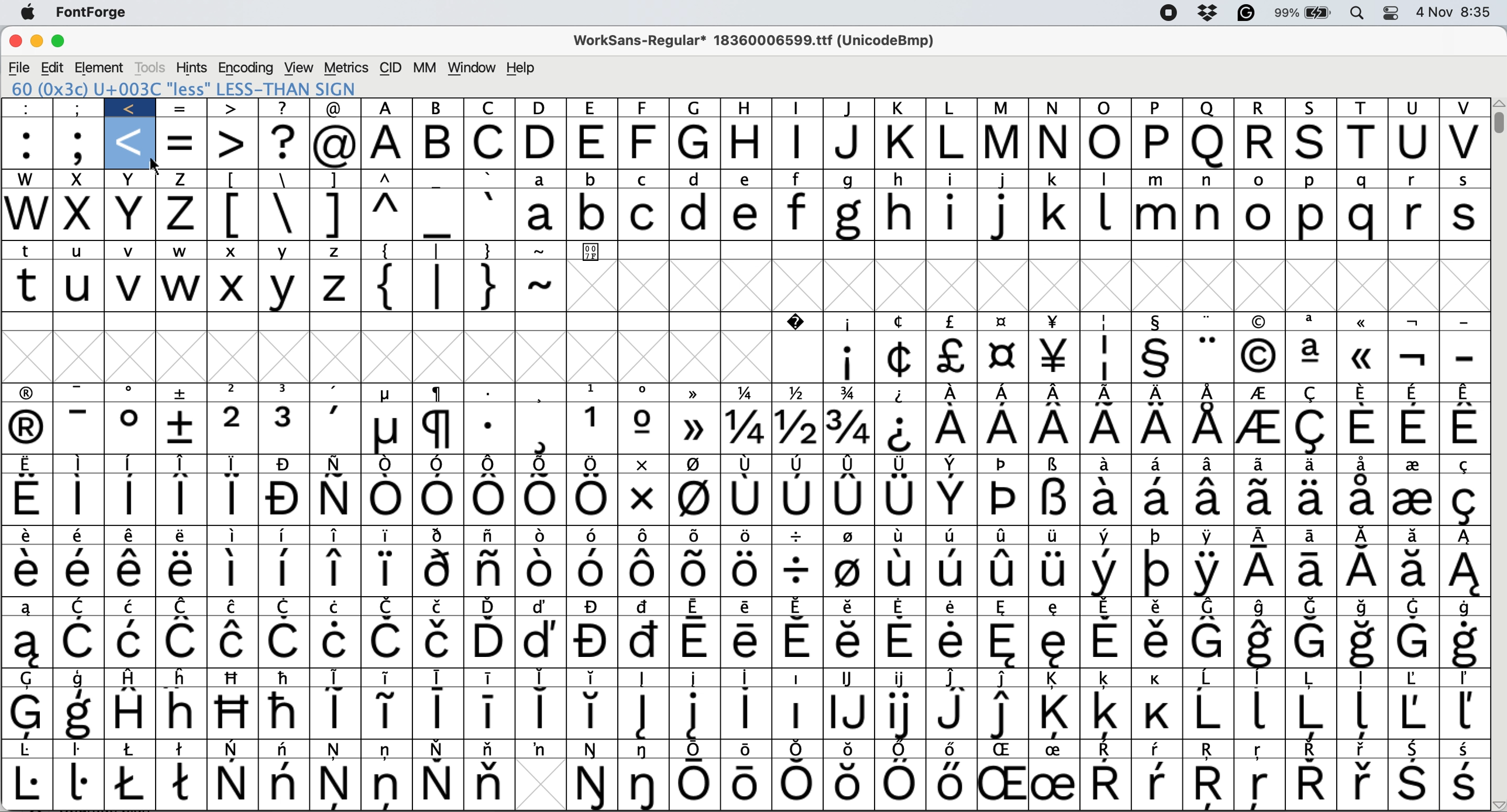 The width and height of the screenshot is (1507, 812). What do you see at coordinates (486, 643) in the screenshot?
I see `Symbol` at bounding box center [486, 643].